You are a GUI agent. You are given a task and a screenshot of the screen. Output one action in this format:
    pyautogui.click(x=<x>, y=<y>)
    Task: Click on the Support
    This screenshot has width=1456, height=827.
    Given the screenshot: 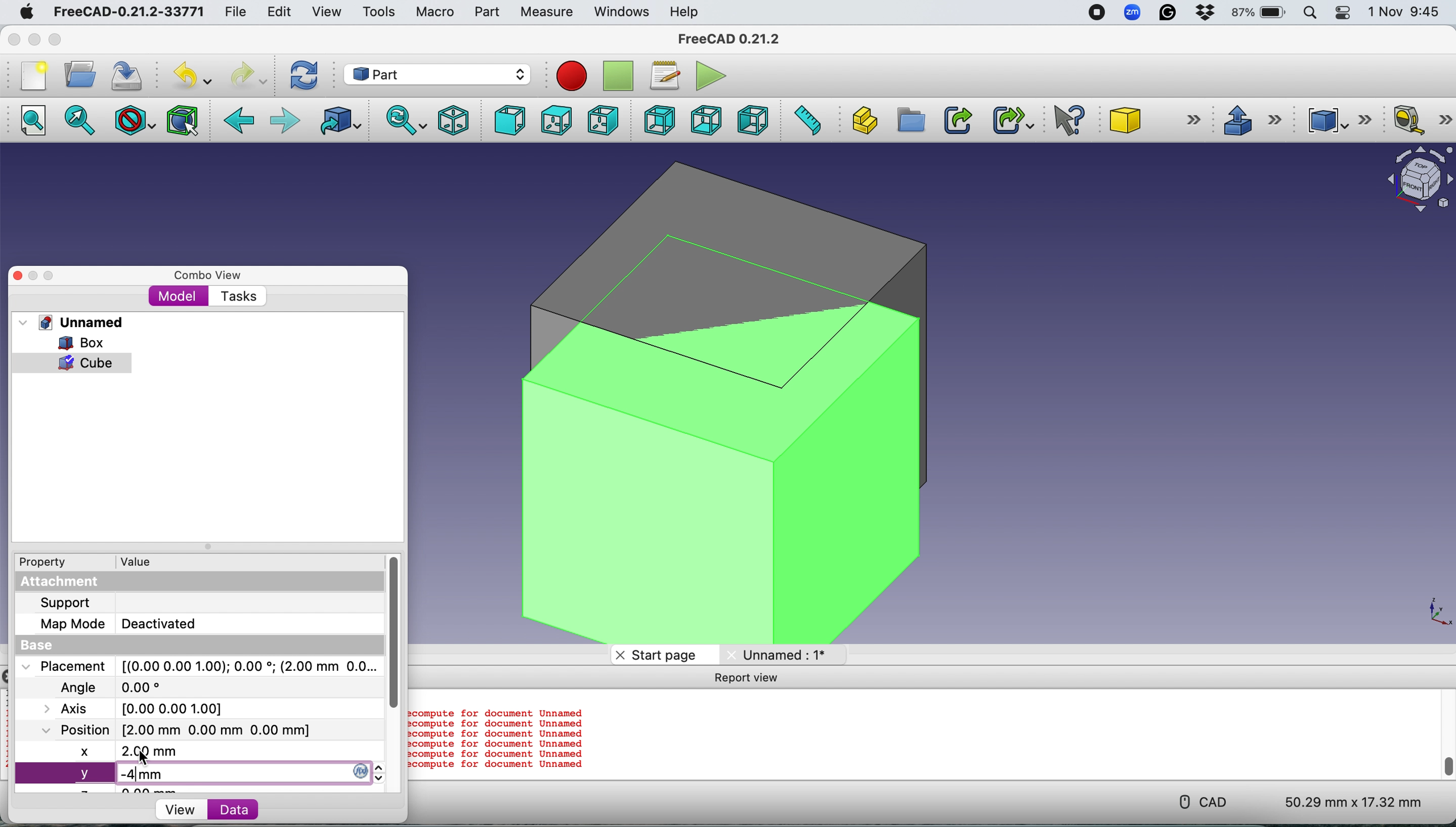 What is the action you would take?
    pyautogui.click(x=65, y=602)
    